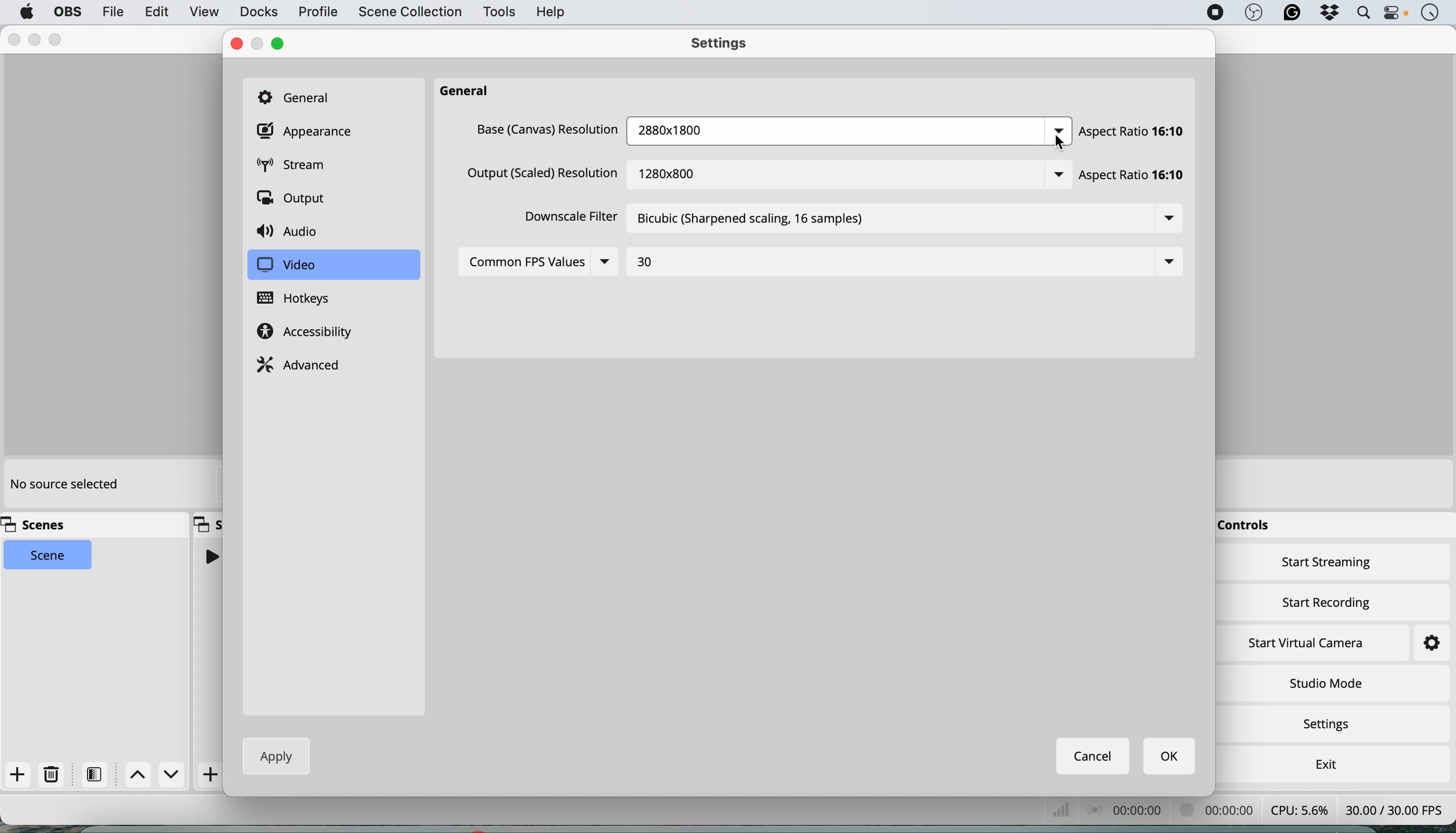  What do you see at coordinates (1141, 812) in the screenshot?
I see `video recording timestamp` at bounding box center [1141, 812].